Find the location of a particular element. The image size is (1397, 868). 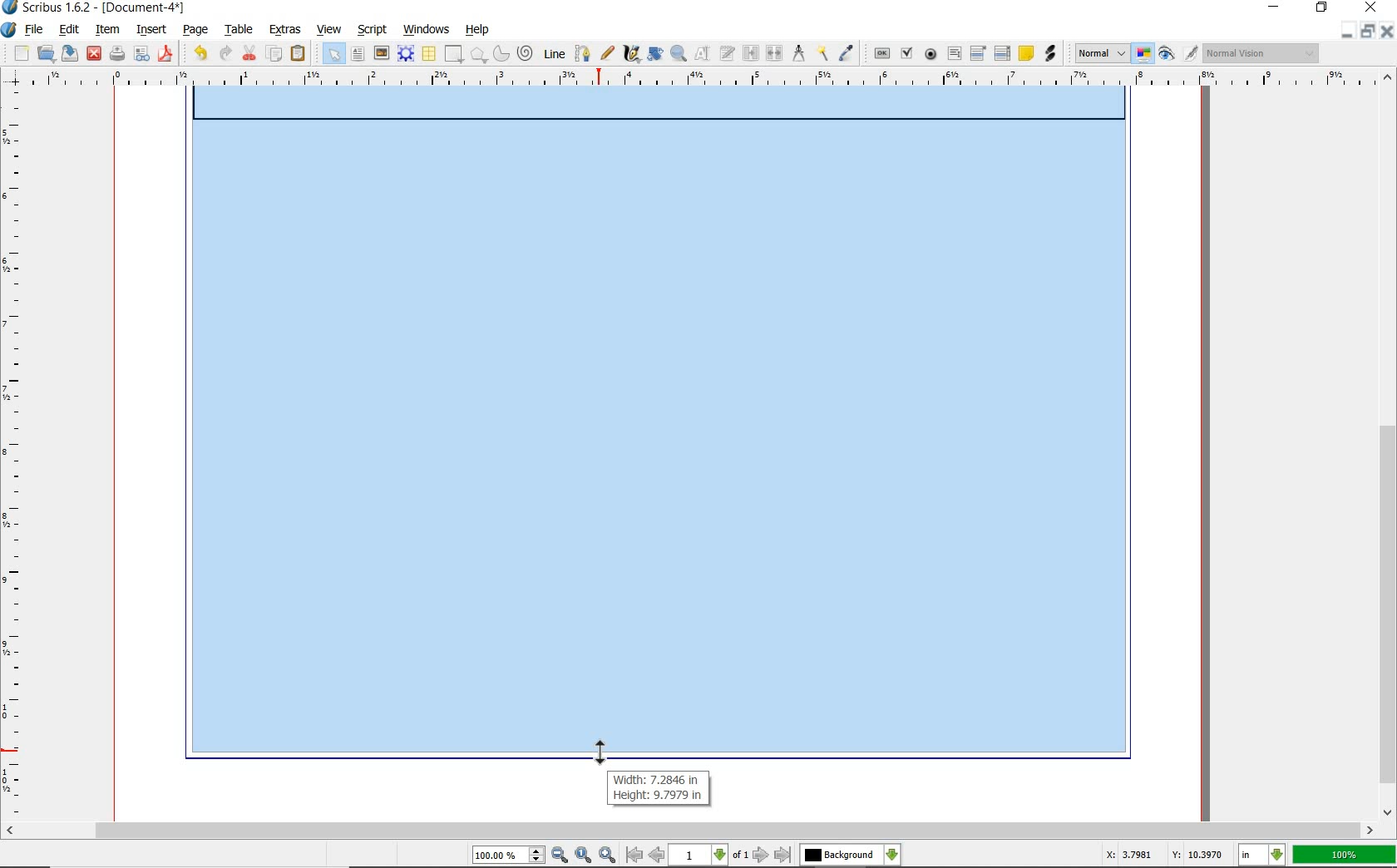

table is located at coordinates (429, 54).